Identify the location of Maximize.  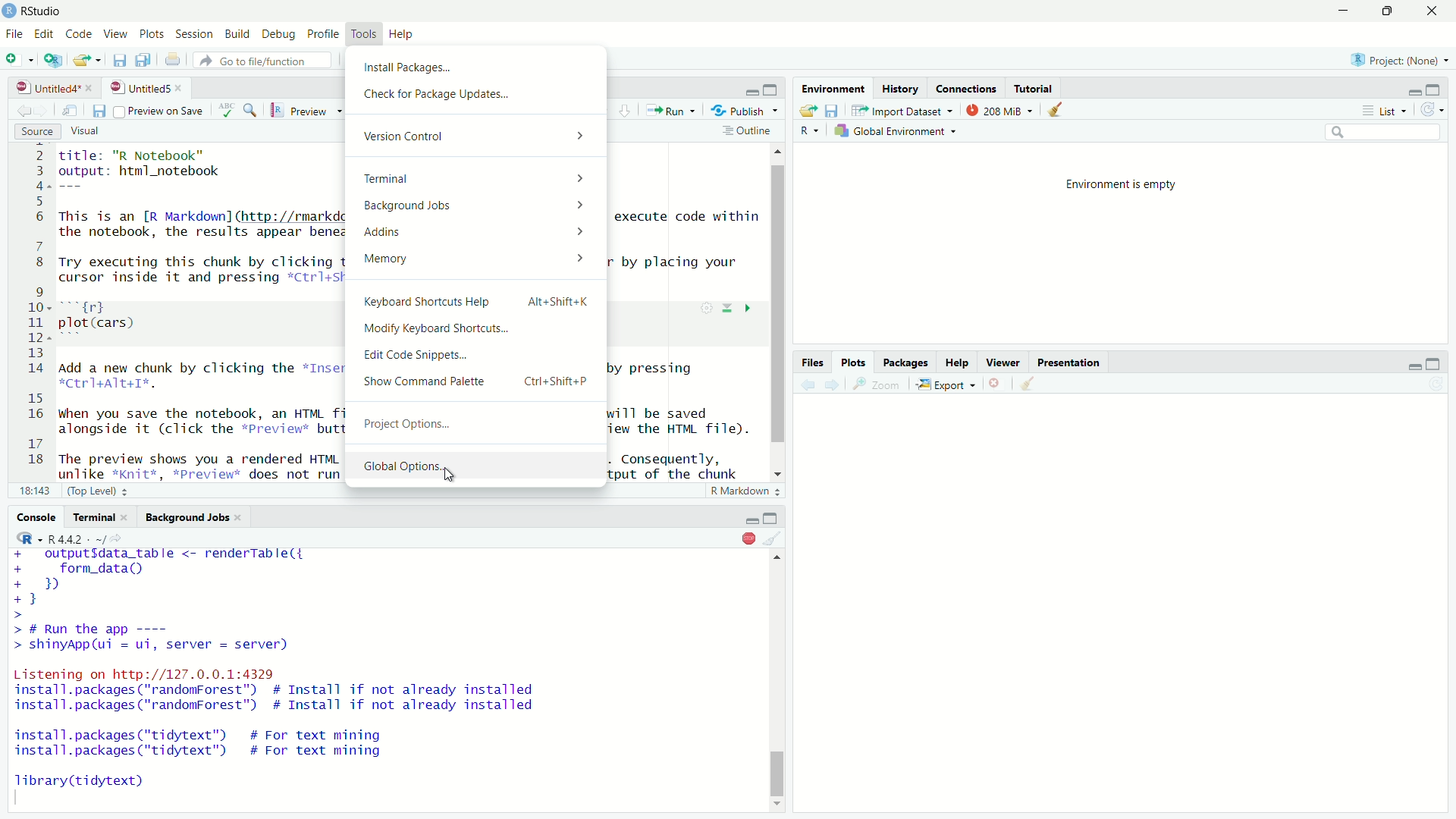
(771, 518).